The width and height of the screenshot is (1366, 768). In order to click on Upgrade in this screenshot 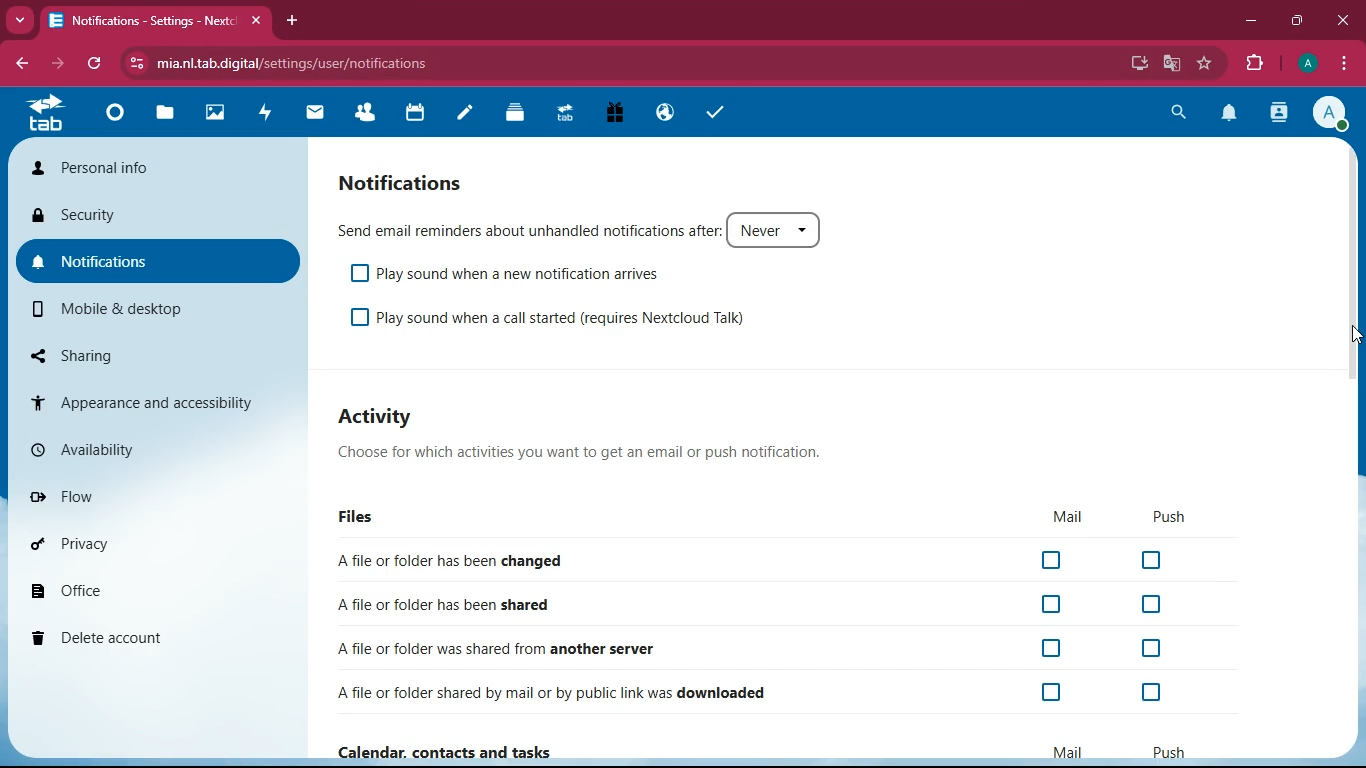, I will do `click(566, 115)`.